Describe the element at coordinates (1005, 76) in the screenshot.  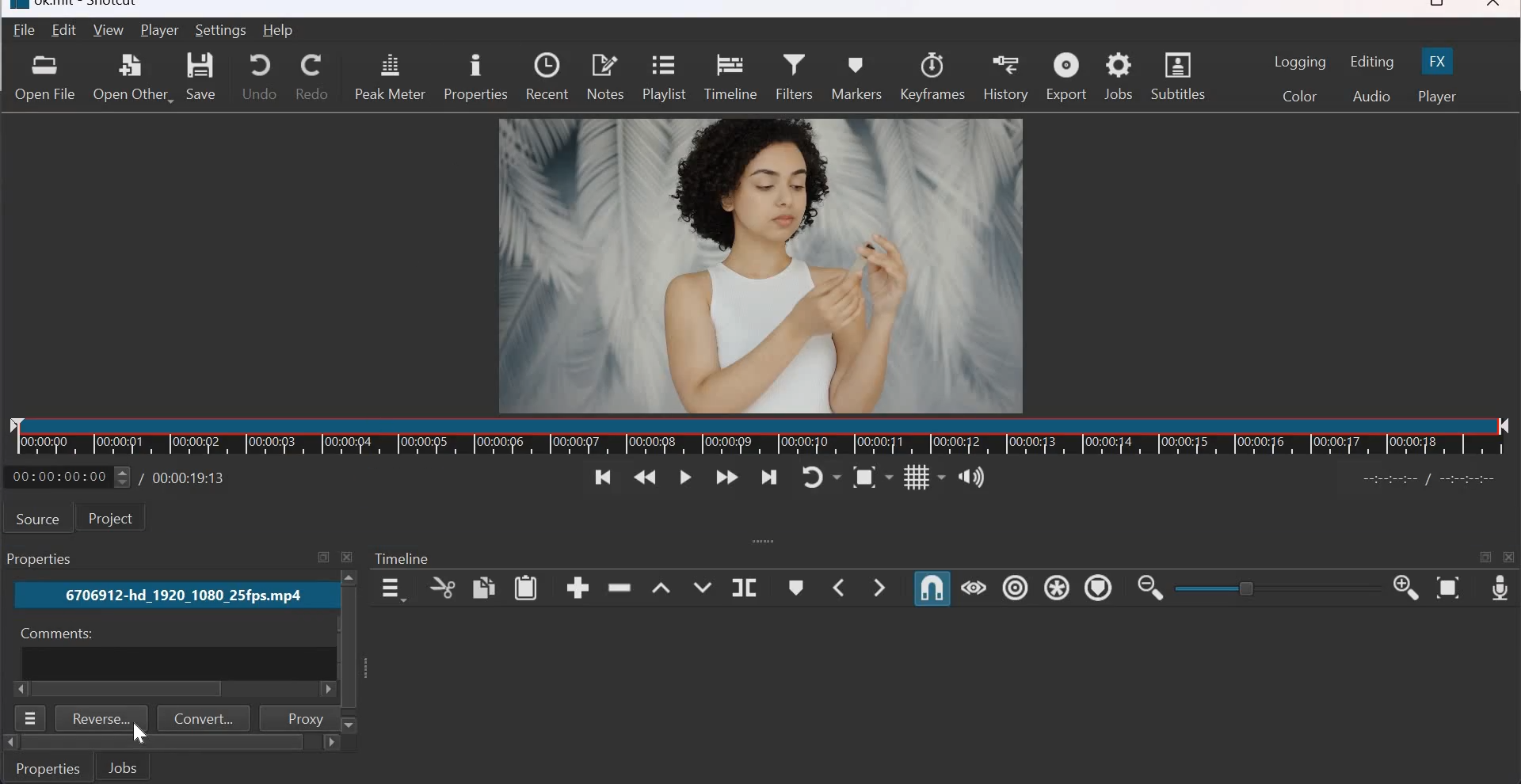
I see `History` at that location.